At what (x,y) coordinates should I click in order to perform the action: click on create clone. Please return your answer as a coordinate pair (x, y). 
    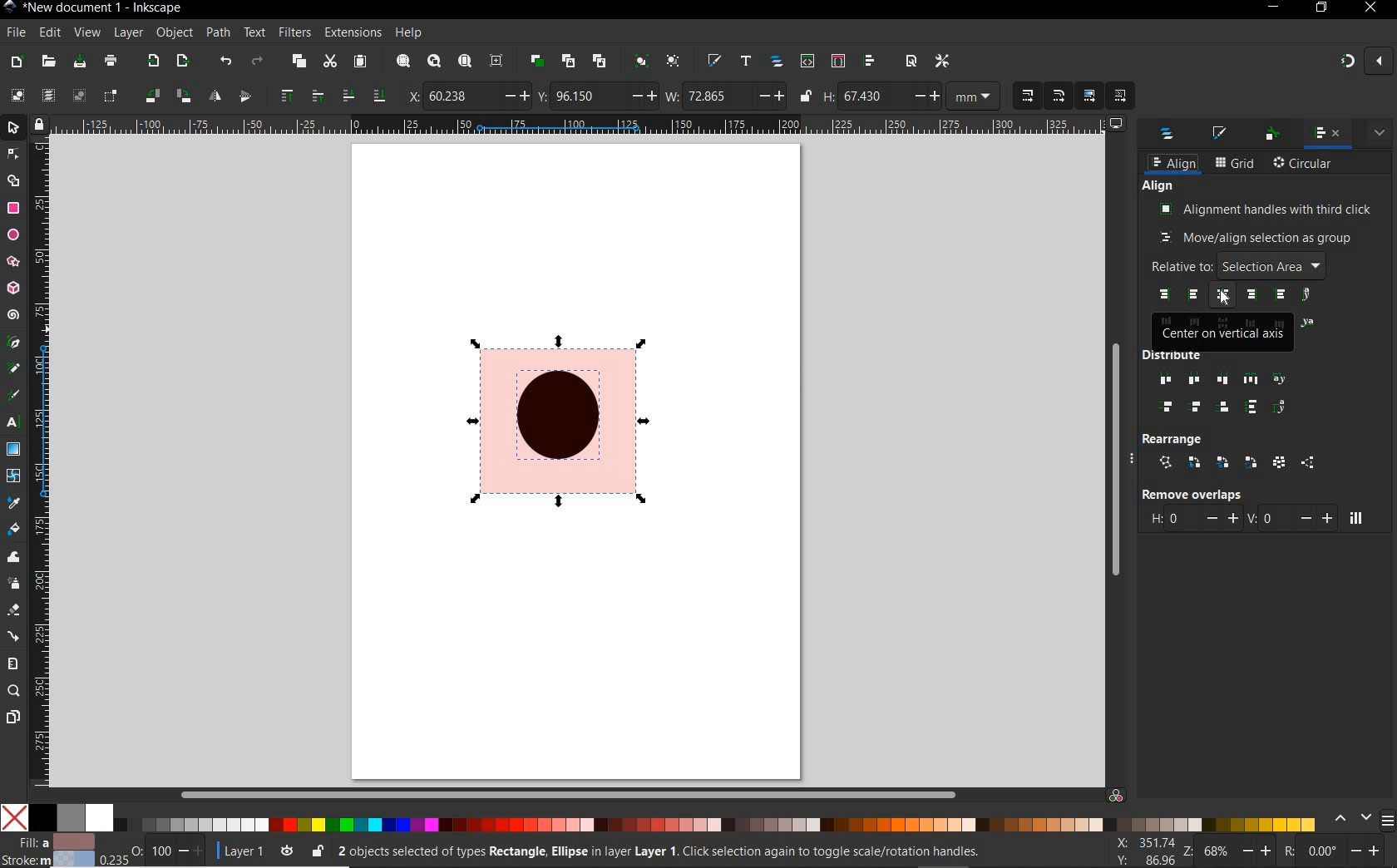
    Looking at the image, I should click on (569, 61).